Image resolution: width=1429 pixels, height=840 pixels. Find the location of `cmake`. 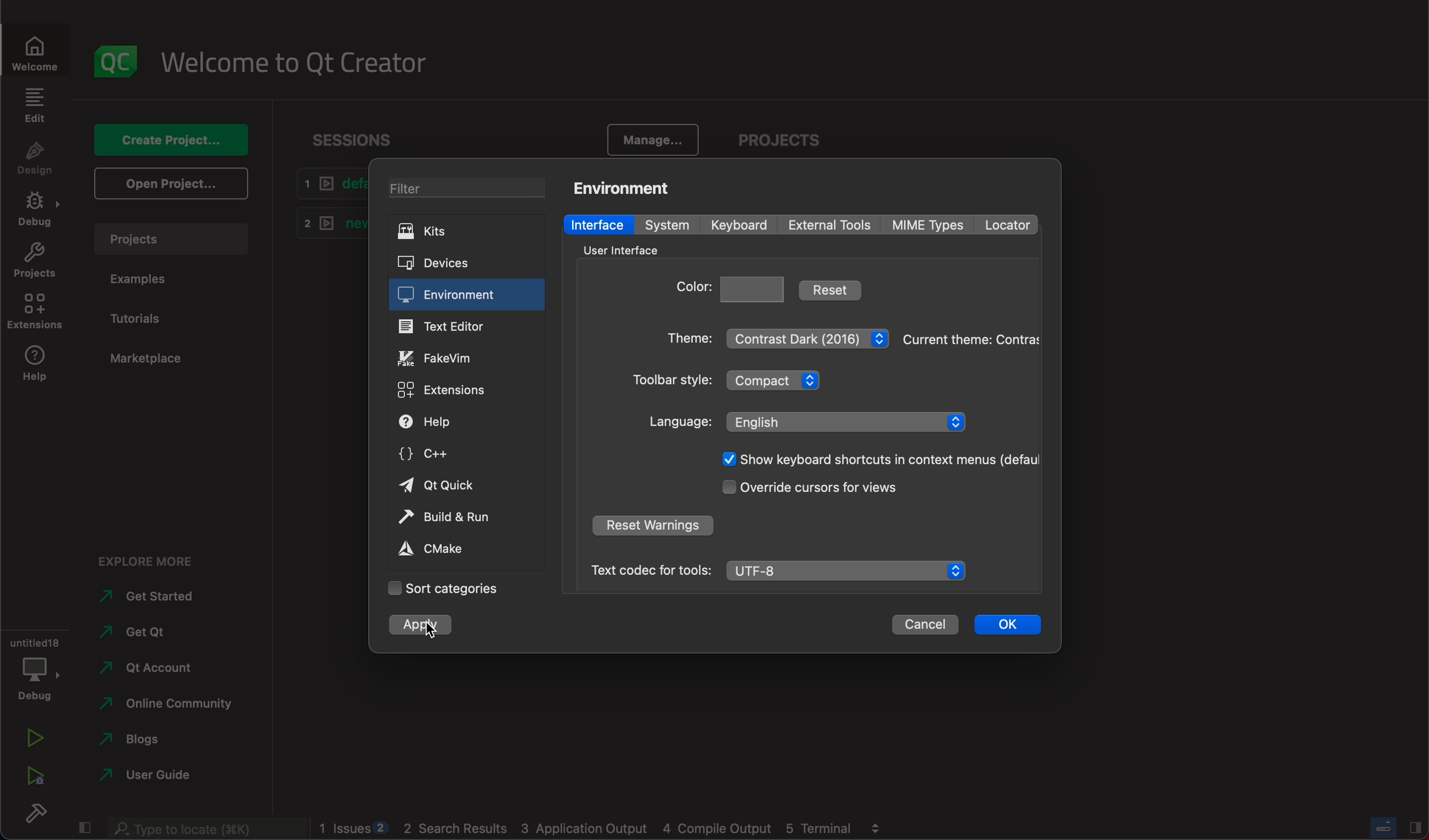

cmake is located at coordinates (447, 550).